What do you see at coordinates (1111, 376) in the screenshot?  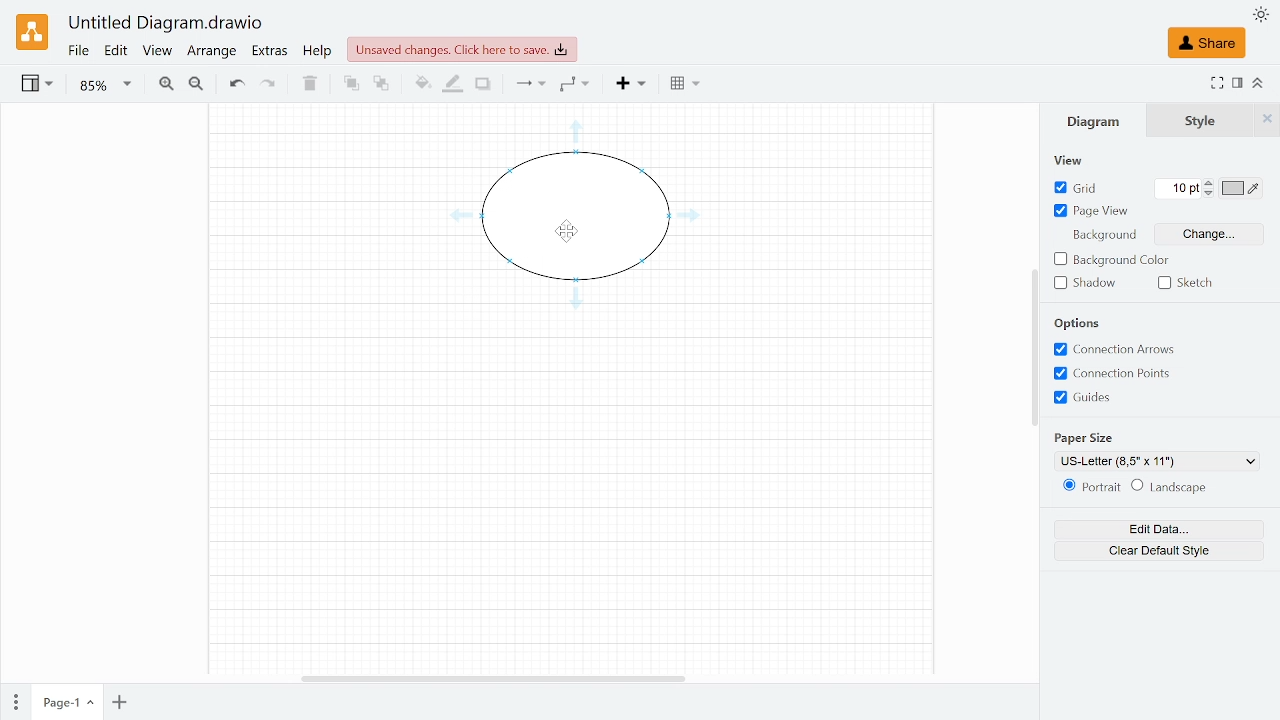 I see `Connection points` at bounding box center [1111, 376].